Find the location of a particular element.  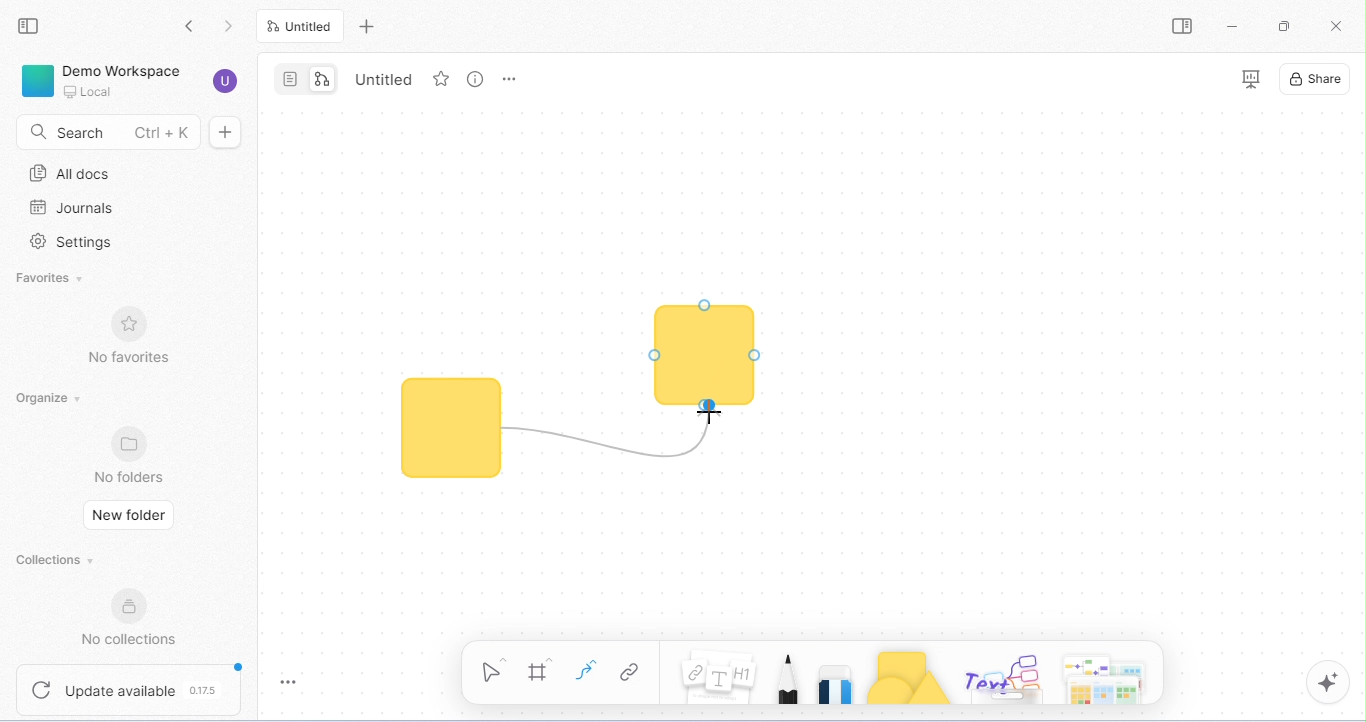

no collections is located at coordinates (137, 620).